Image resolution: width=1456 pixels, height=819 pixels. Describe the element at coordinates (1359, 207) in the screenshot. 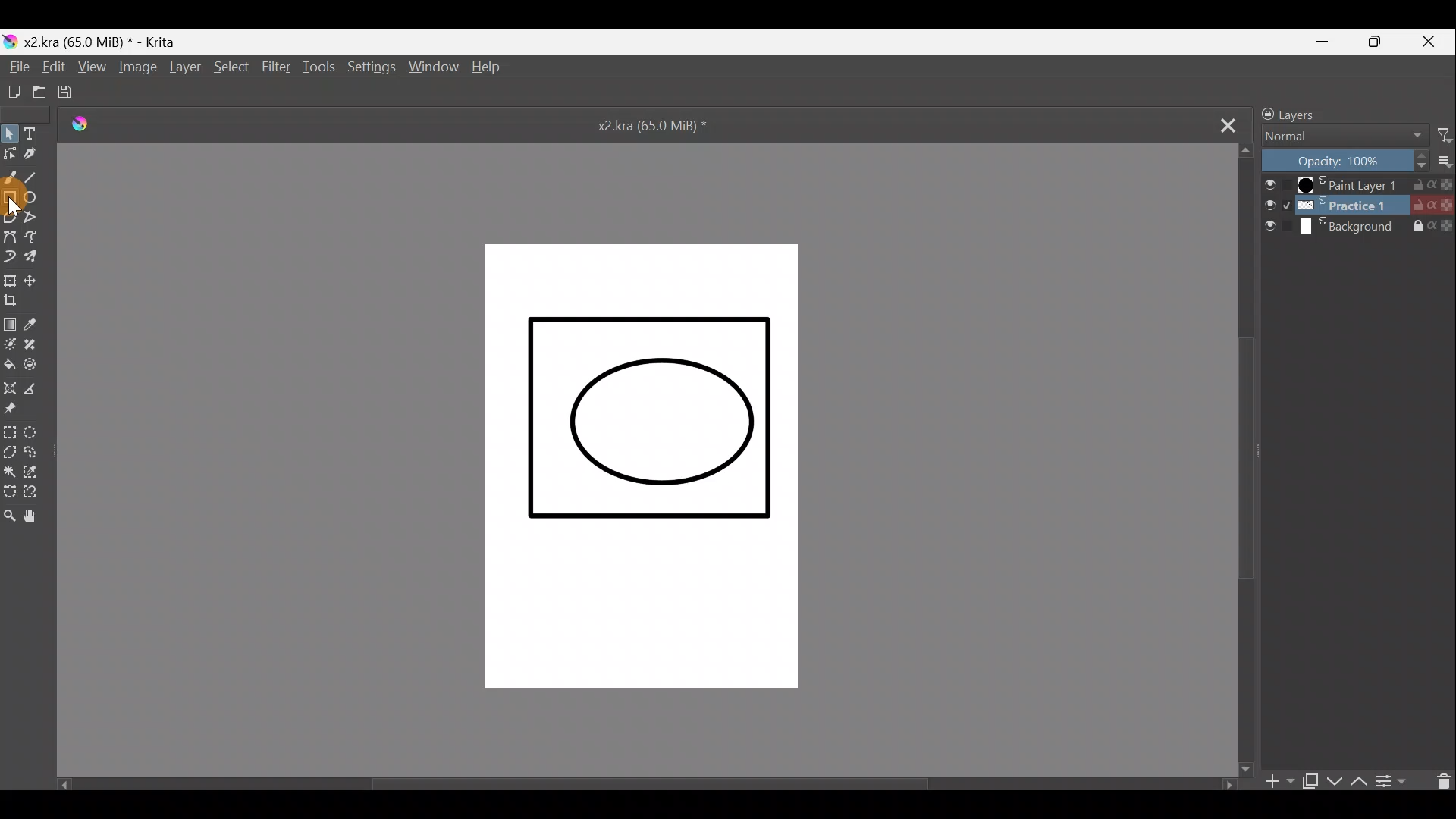

I see `Practice 1` at that location.